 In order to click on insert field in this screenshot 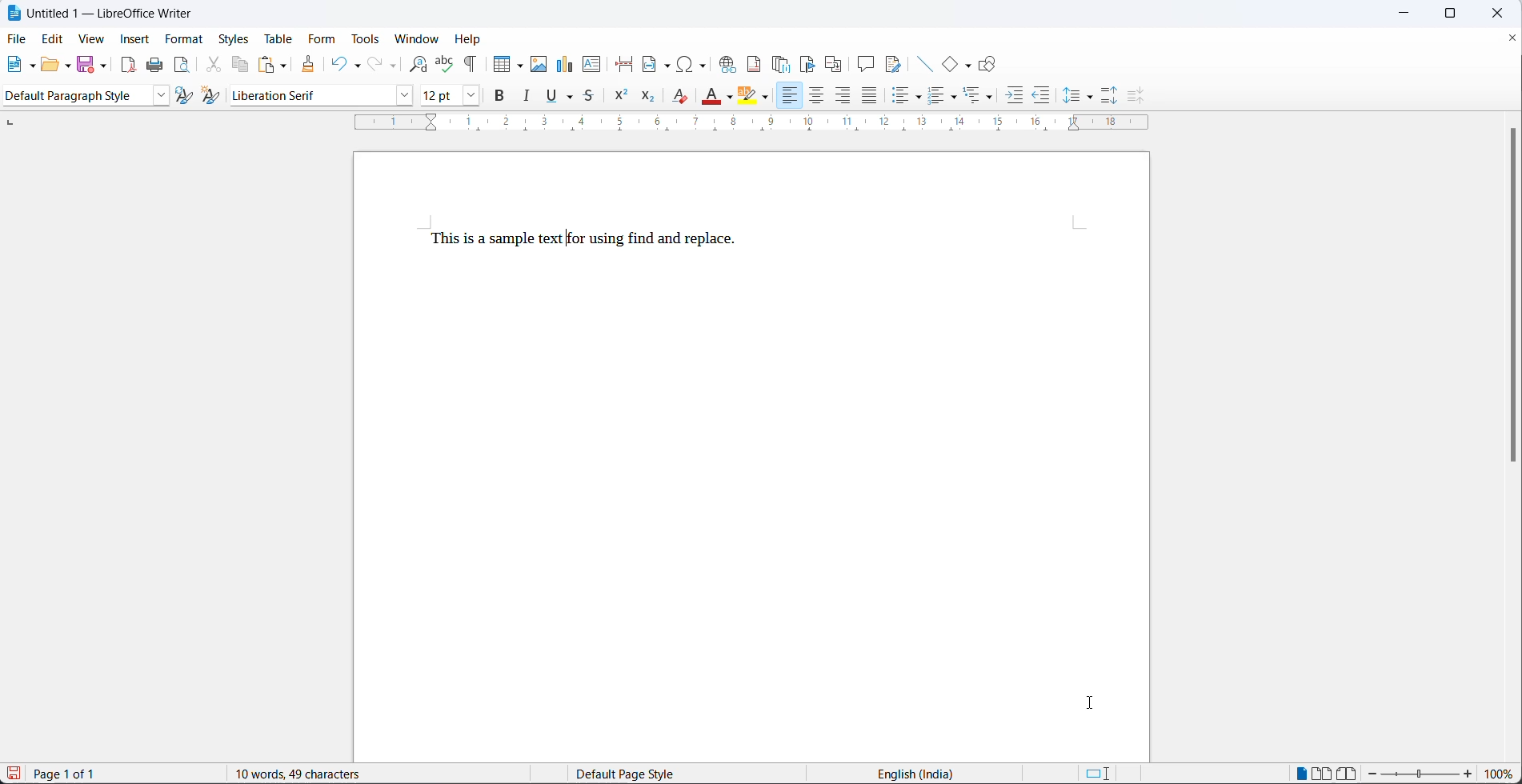, I will do `click(658, 65)`.